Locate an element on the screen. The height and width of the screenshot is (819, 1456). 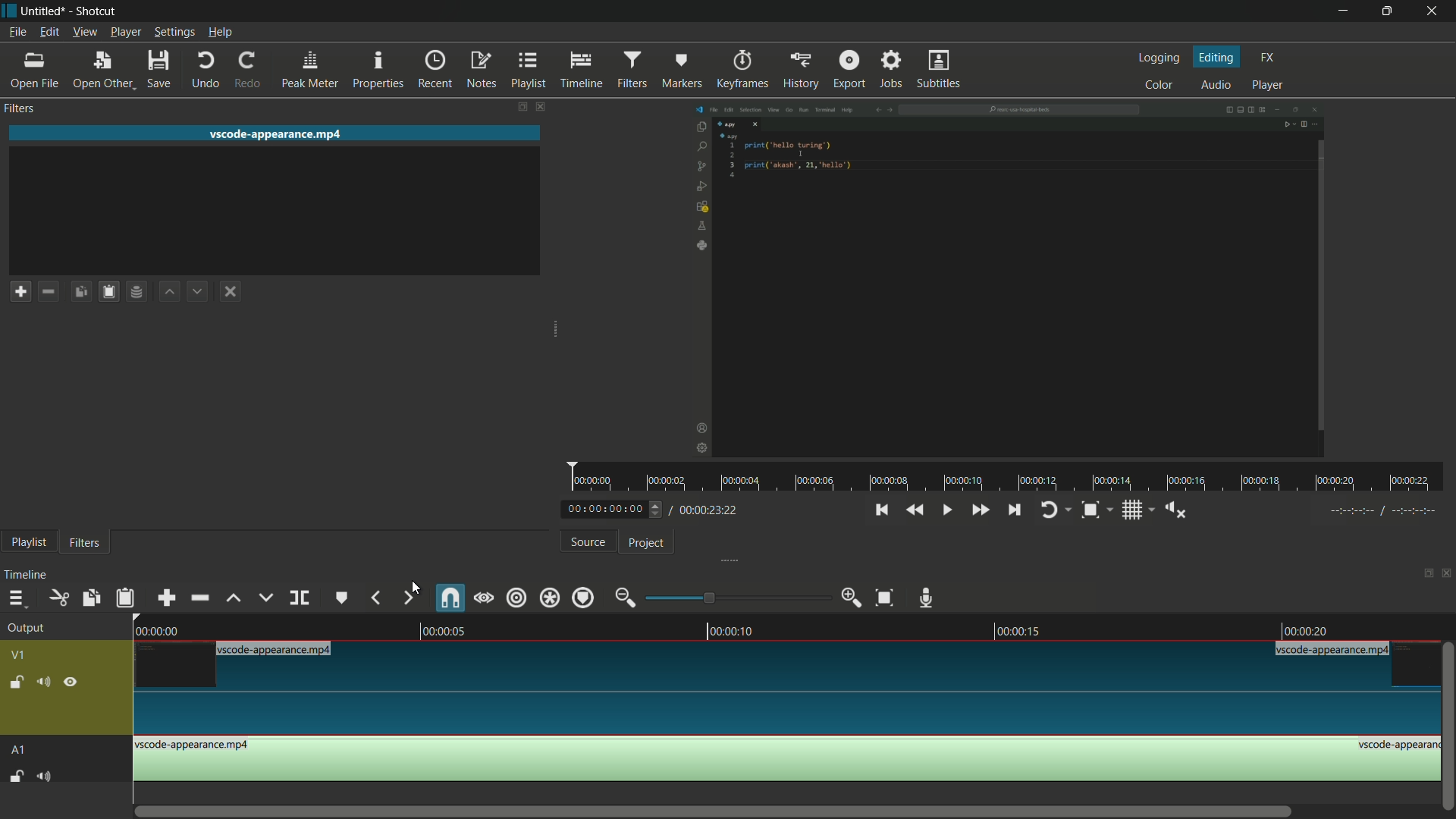
toggle zoom is located at coordinates (1090, 510).